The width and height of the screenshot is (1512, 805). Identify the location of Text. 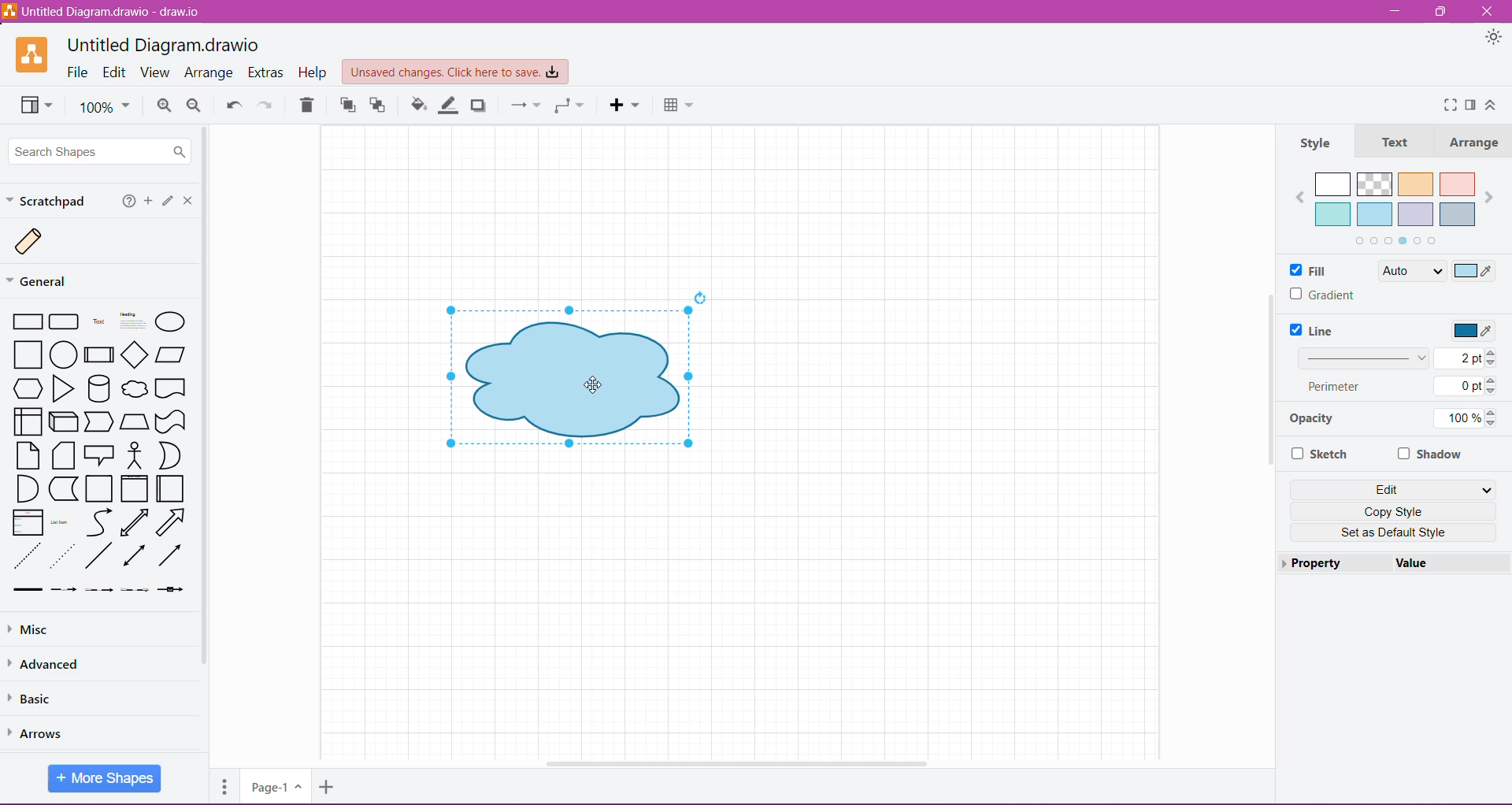
(1399, 143).